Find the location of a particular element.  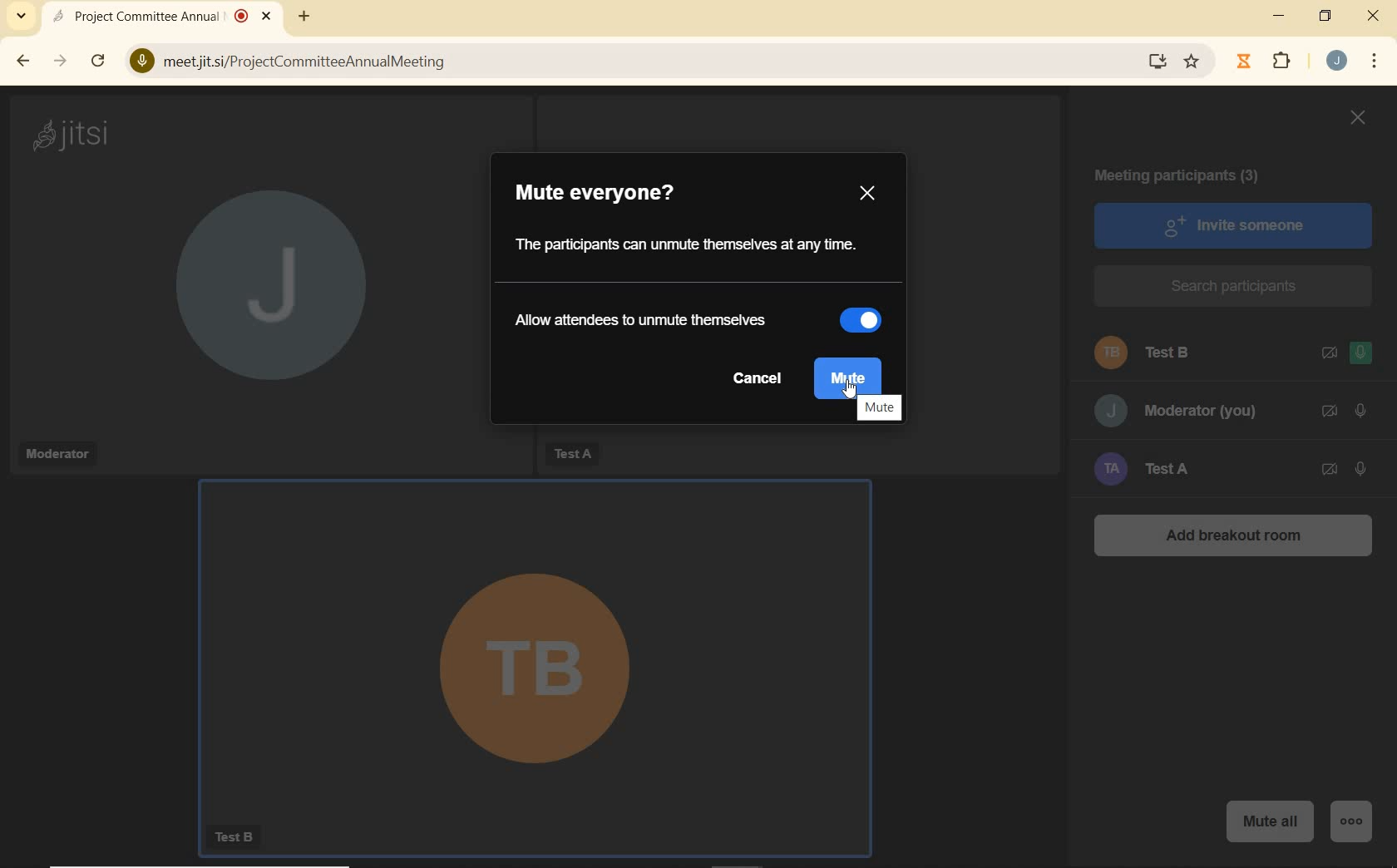

SLIDER is located at coordinates (869, 318).